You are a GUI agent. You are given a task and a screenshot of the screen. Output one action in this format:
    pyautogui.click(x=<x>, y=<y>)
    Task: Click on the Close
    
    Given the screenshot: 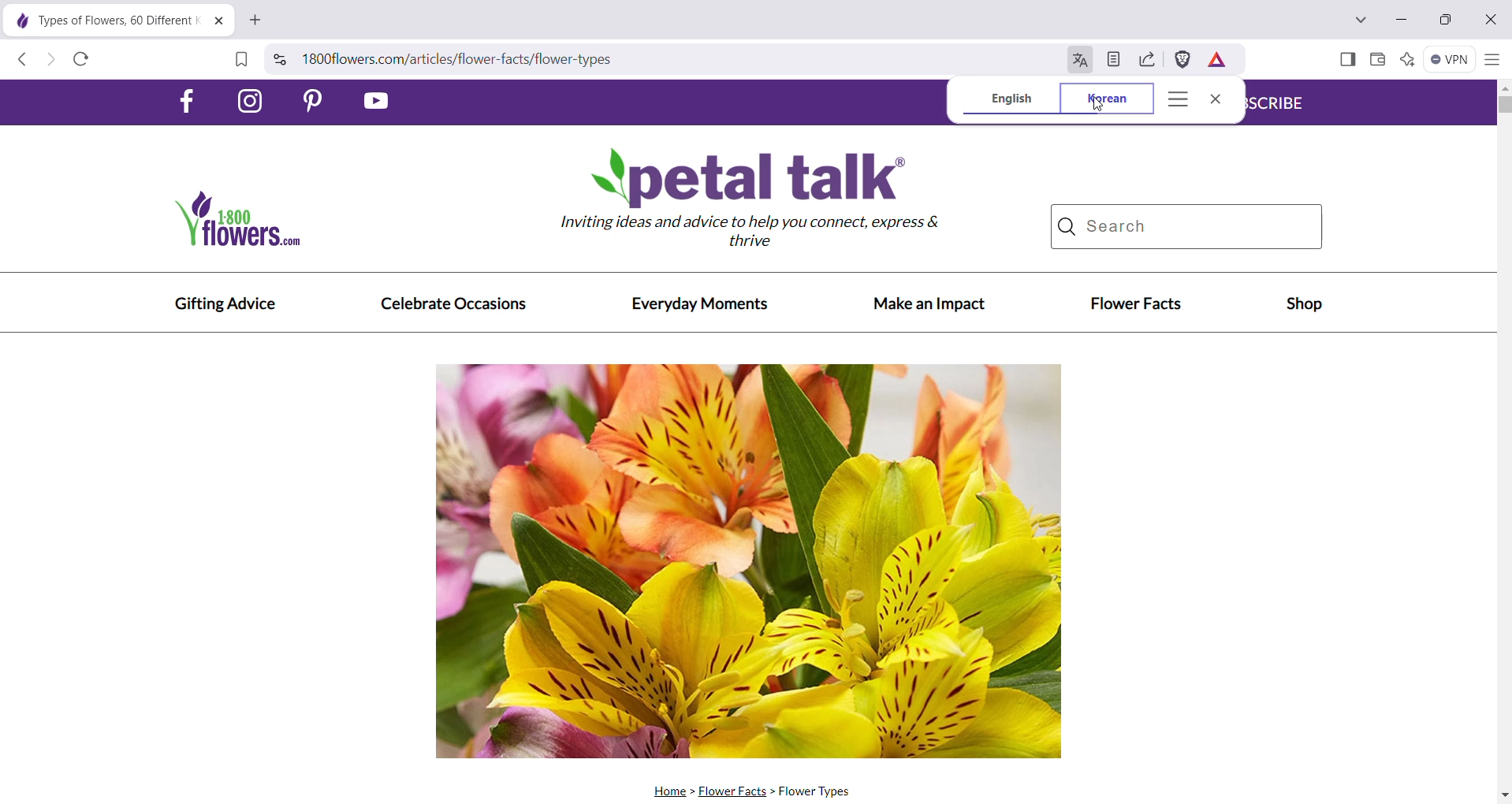 What is the action you would take?
    pyautogui.click(x=1215, y=100)
    